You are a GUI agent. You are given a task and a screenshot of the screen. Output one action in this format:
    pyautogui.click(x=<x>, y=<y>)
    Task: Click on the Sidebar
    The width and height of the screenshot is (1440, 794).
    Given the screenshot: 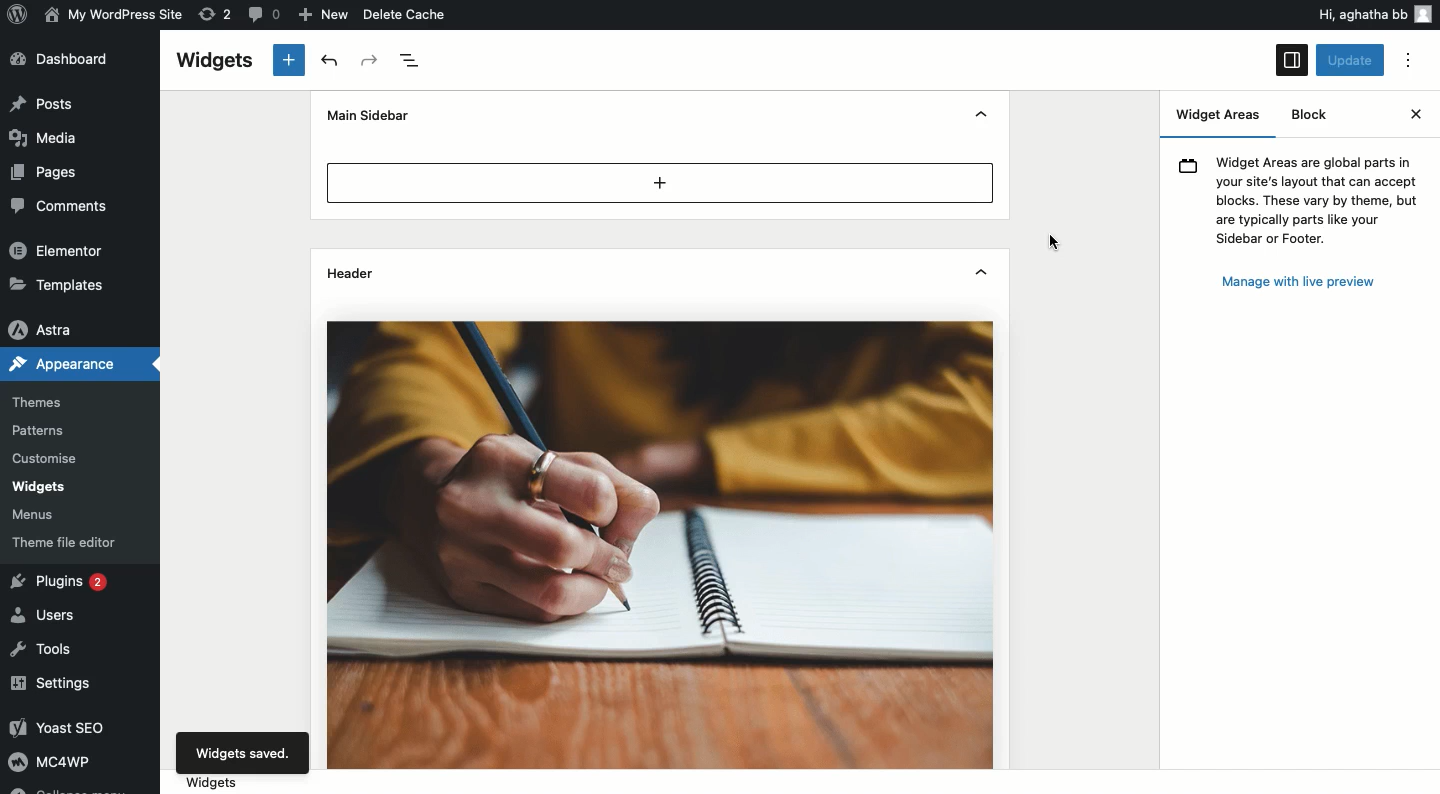 What is the action you would take?
    pyautogui.click(x=1292, y=60)
    